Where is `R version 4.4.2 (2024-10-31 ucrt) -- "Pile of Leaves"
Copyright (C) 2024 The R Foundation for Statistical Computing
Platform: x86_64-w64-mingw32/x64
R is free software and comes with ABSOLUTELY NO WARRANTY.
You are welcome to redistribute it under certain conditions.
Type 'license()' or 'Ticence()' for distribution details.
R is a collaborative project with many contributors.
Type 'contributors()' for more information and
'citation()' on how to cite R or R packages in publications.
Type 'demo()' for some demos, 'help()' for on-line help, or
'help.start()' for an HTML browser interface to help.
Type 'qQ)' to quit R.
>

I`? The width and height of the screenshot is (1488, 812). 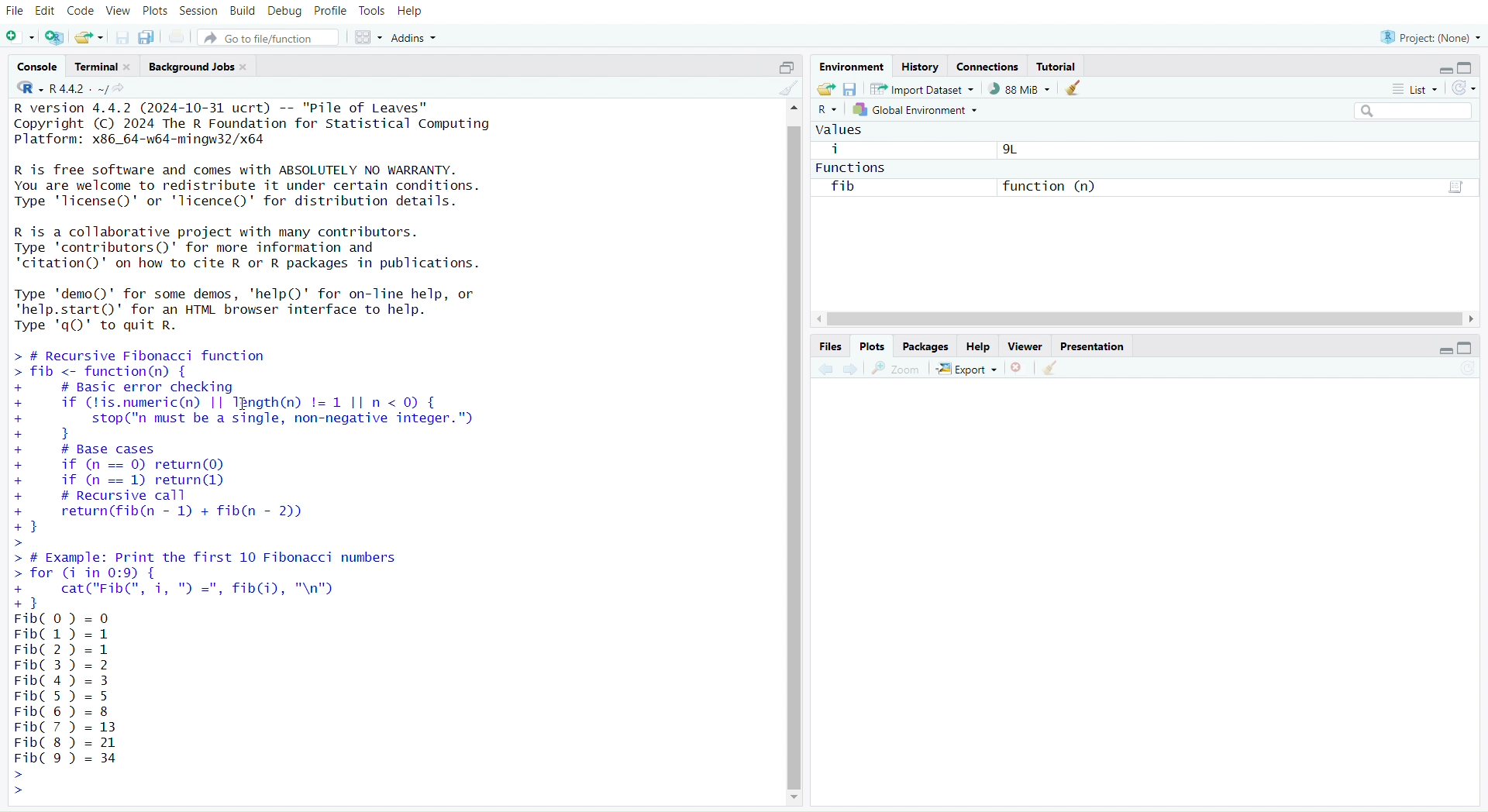
R version 4.4.2 (2024-10-31 ucrt) -- "Pile of Leaves"
Copyright (C) 2024 The R Foundation for Statistical Computing
Platform: x86_64-w64-mingw32/x64
R is free software and comes with ABSOLUTELY NO WARRANTY.
You are welcome to redistribute it under certain conditions.
Type 'license()' or 'Ticence()' for distribution details.
R is a collaborative project with many contributors.
Type 'contributors()' for more information and
'citation()' on how to cite R or R packages in publications.
Type 'demo()' for some demos, 'help()' for on-line help, or
'help.start()' for an HTML browser interface to help.
Type 'qQ)' to quit R.
>

I is located at coordinates (264, 218).